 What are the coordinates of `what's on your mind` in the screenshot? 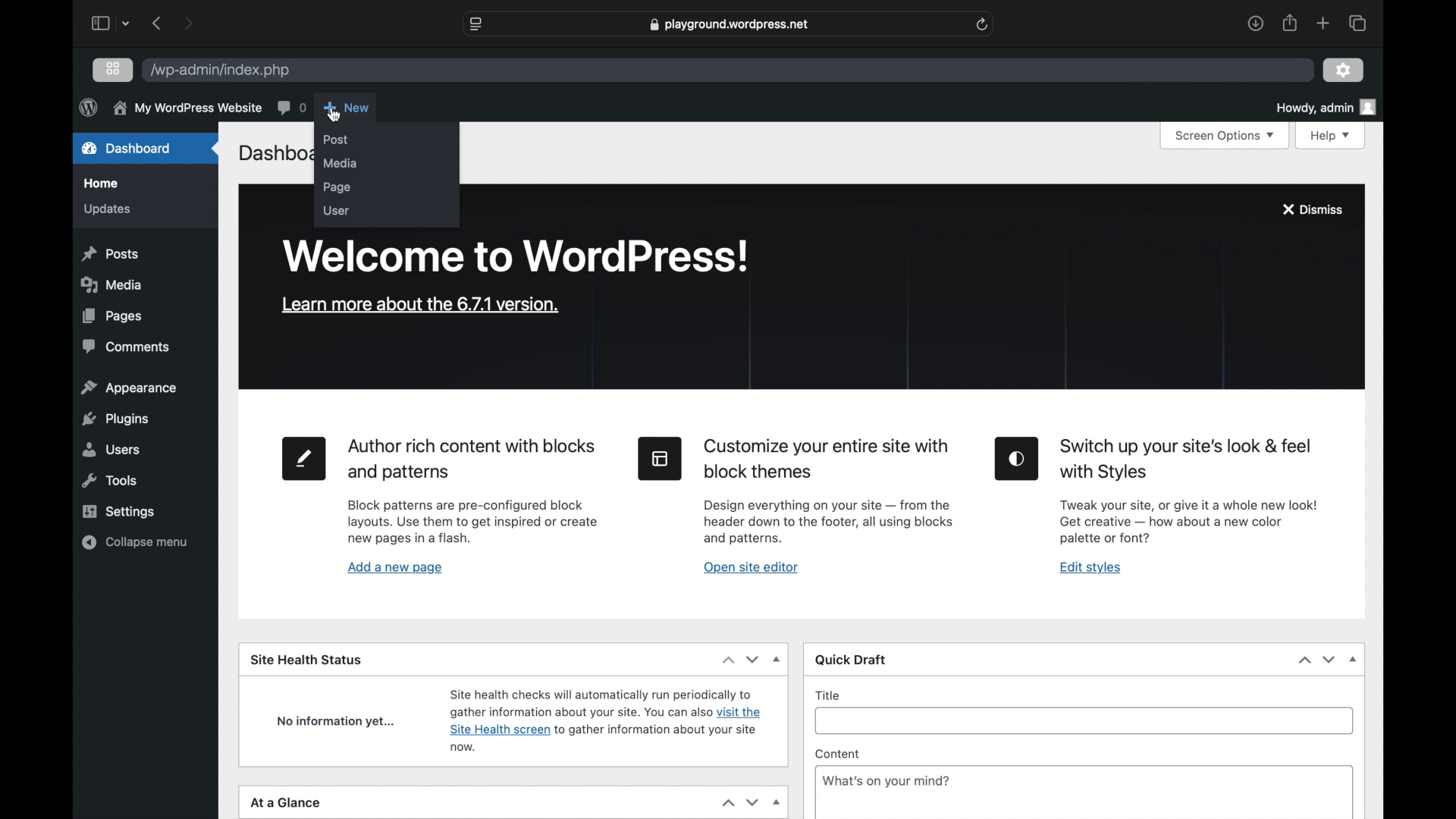 It's located at (886, 780).